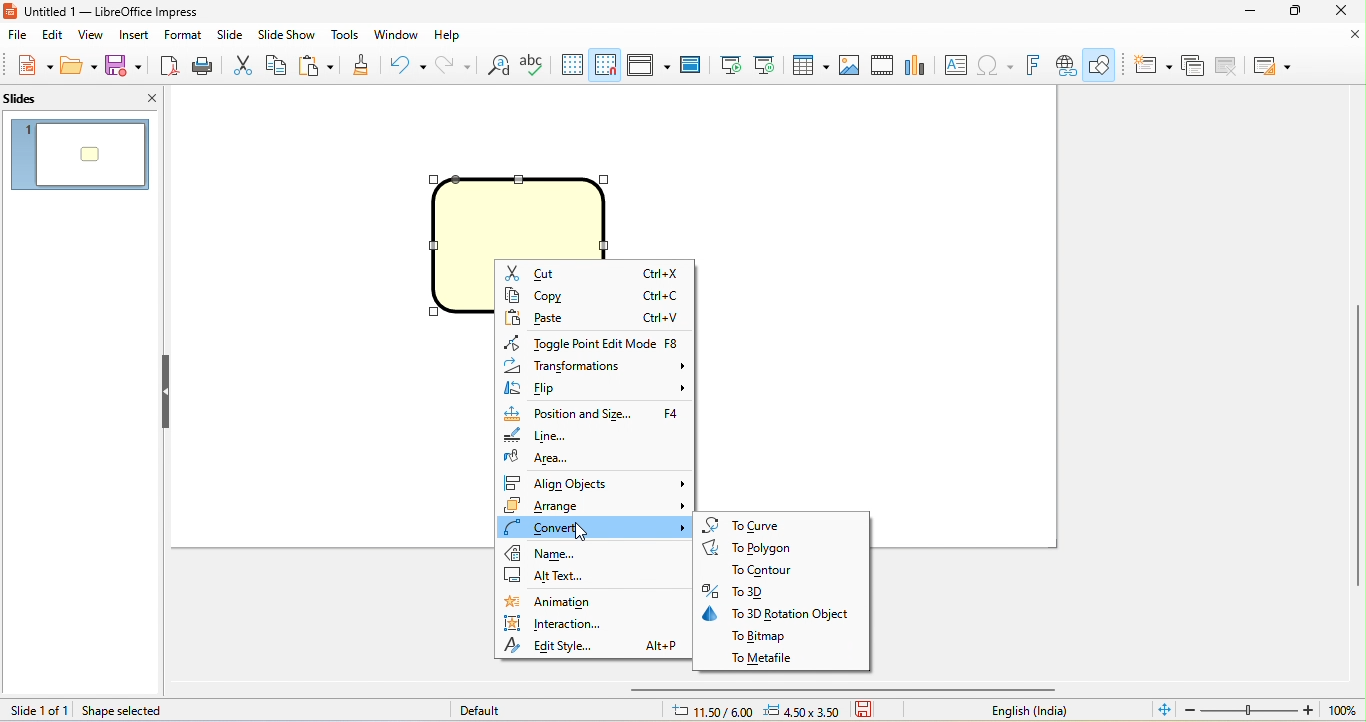 This screenshot has width=1366, height=722. What do you see at coordinates (97, 34) in the screenshot?
I see `view` at bounding box center [97, 34].